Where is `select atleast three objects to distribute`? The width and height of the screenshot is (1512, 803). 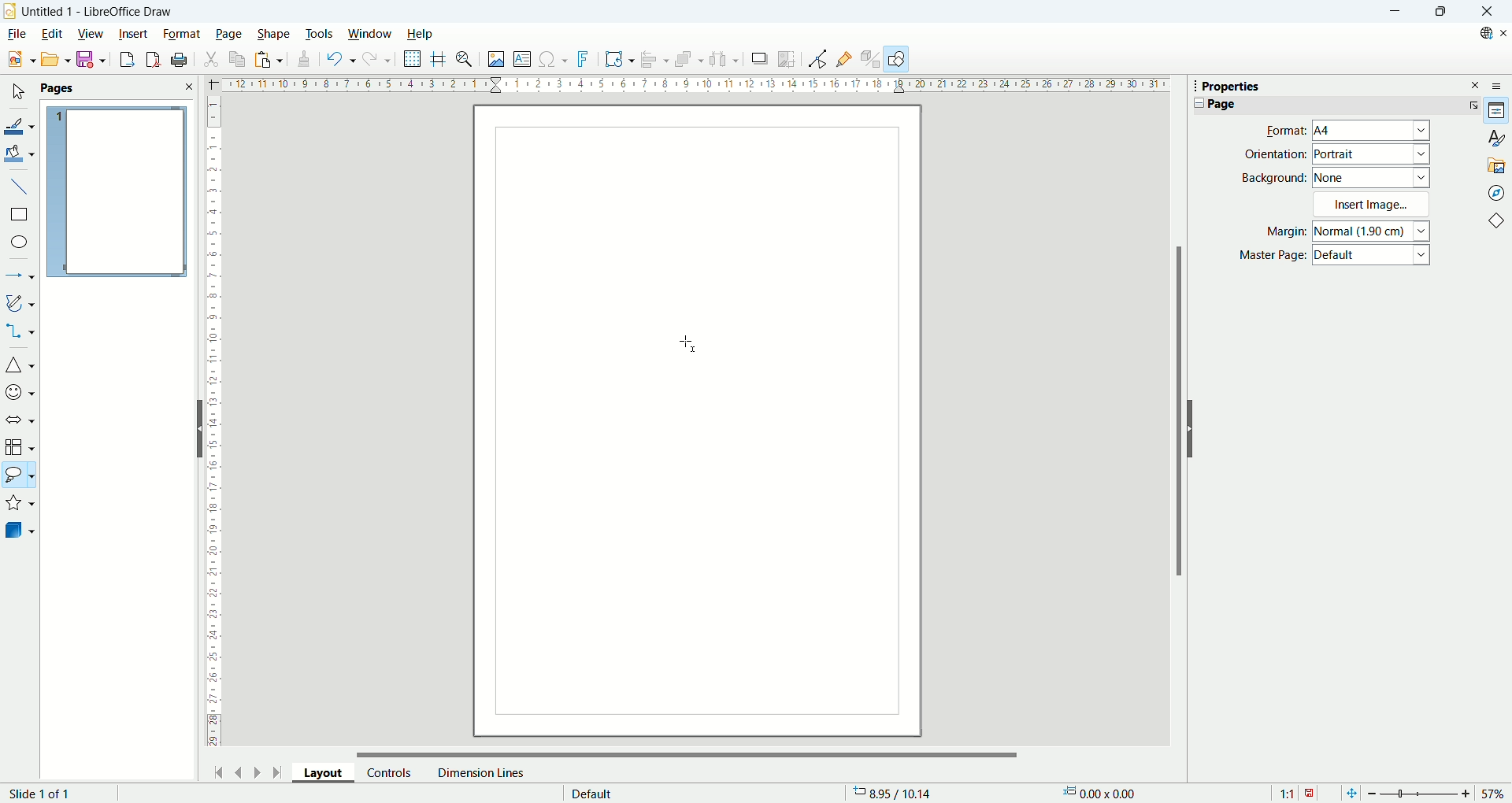 select atleast three objects to distribute is located at coordinates (724, 59).